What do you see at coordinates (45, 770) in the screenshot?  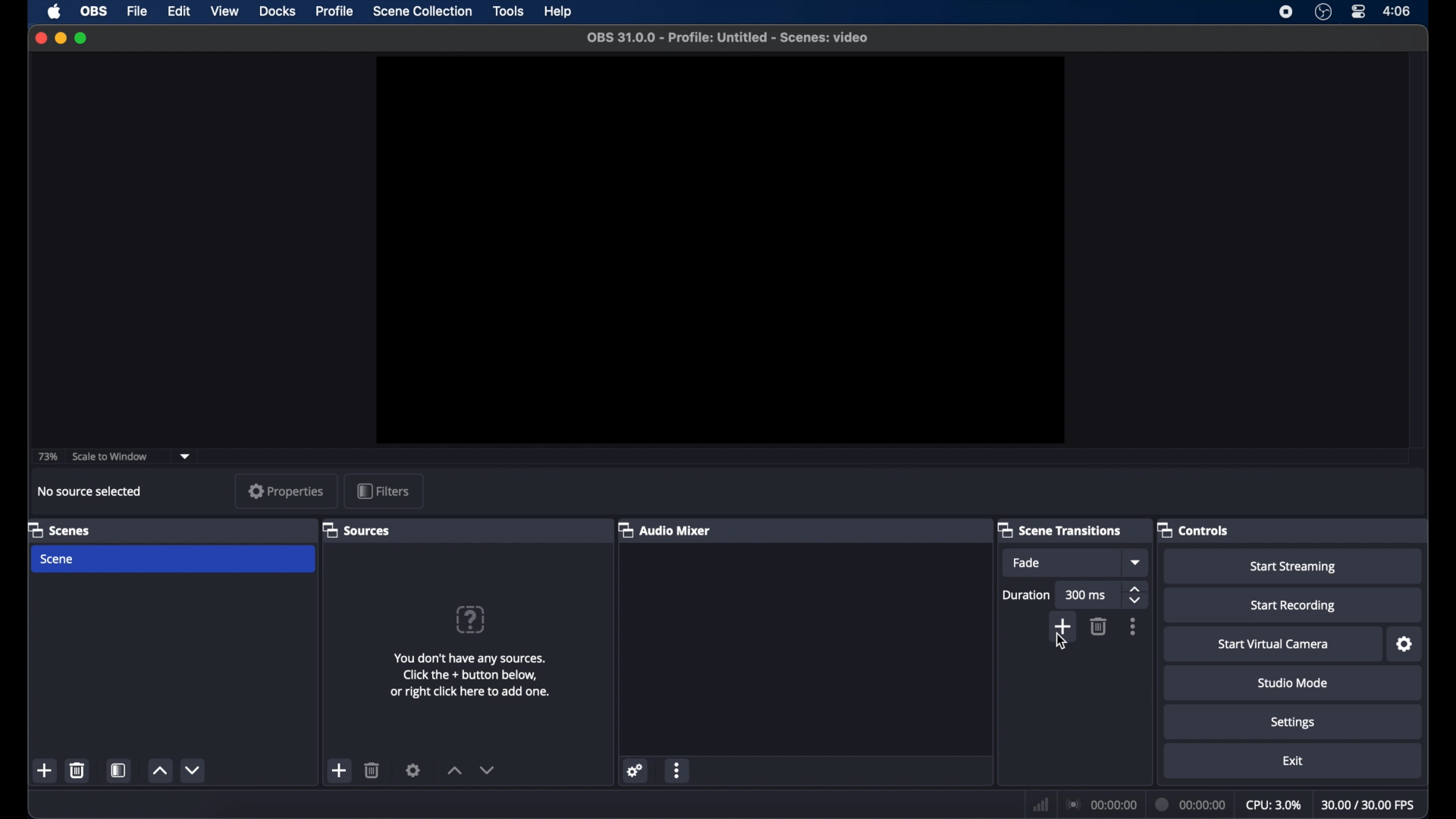 I see `add` at bounding box center [45, 770].